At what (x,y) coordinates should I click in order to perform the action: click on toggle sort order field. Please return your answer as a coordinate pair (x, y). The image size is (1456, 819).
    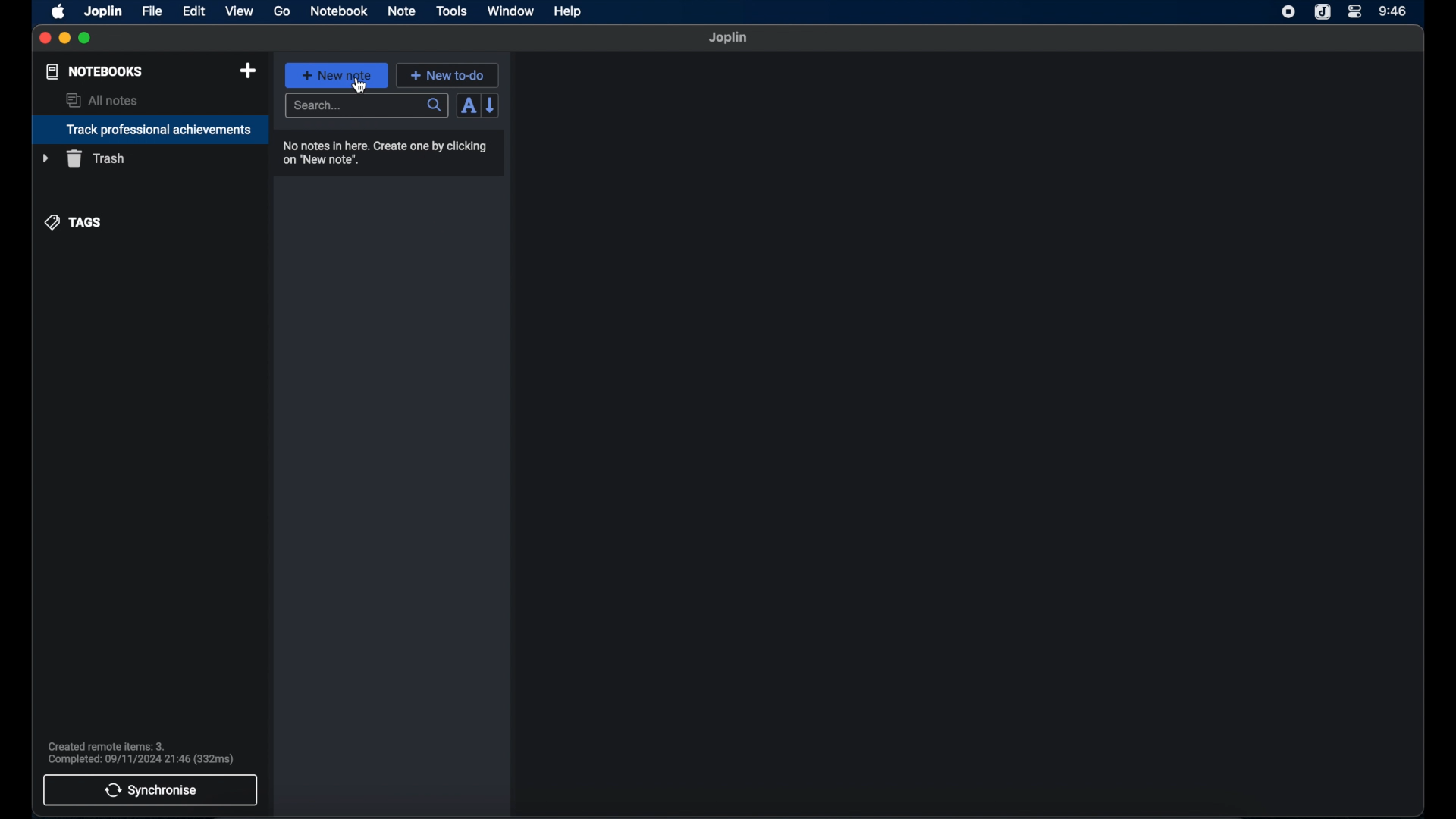
    Looking at the image, I should click on (466, 107).